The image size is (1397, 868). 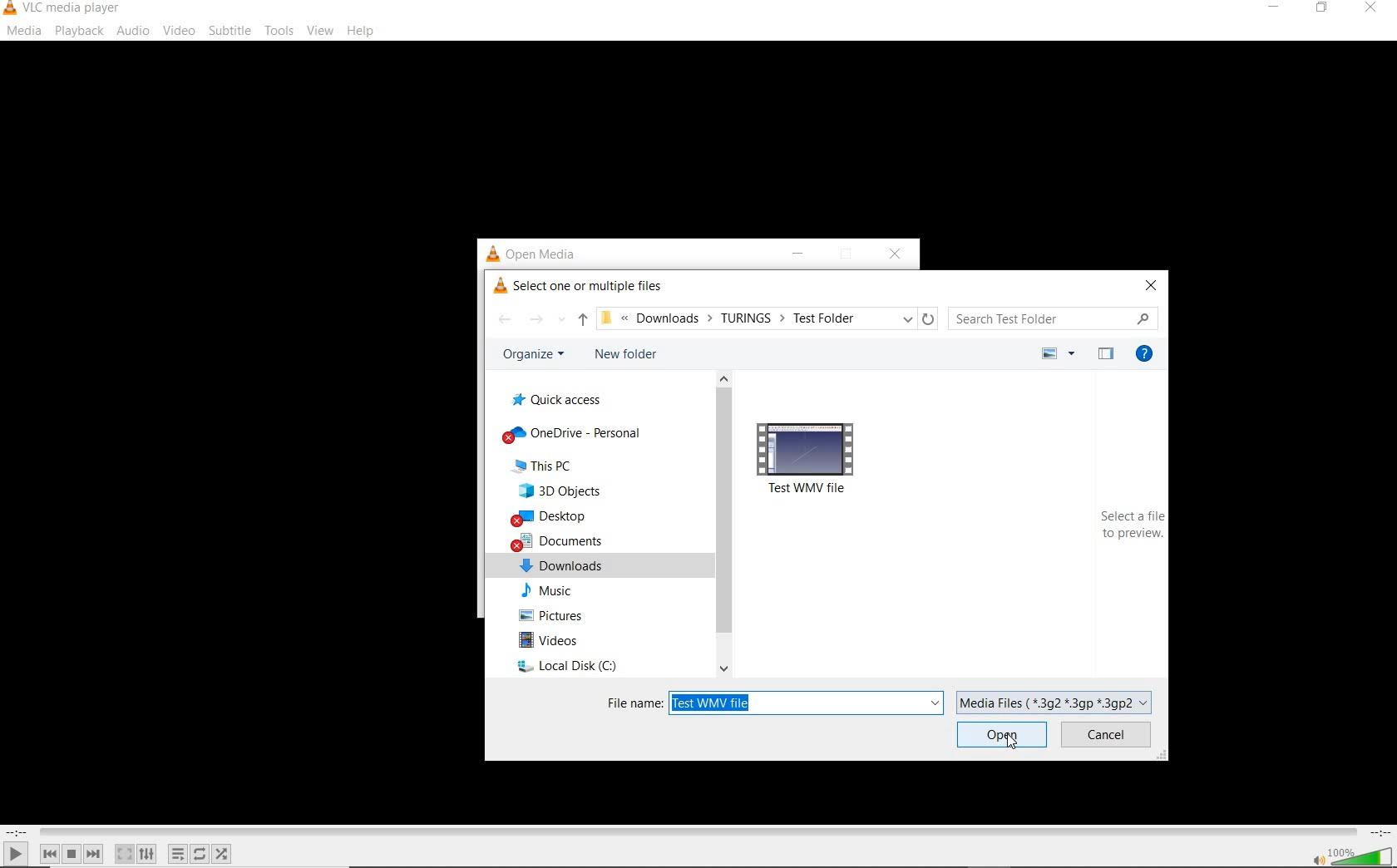 What do you see at coordinates (532, 353) in the screenshot?
I see `organize` at bounding box center [532, 353].